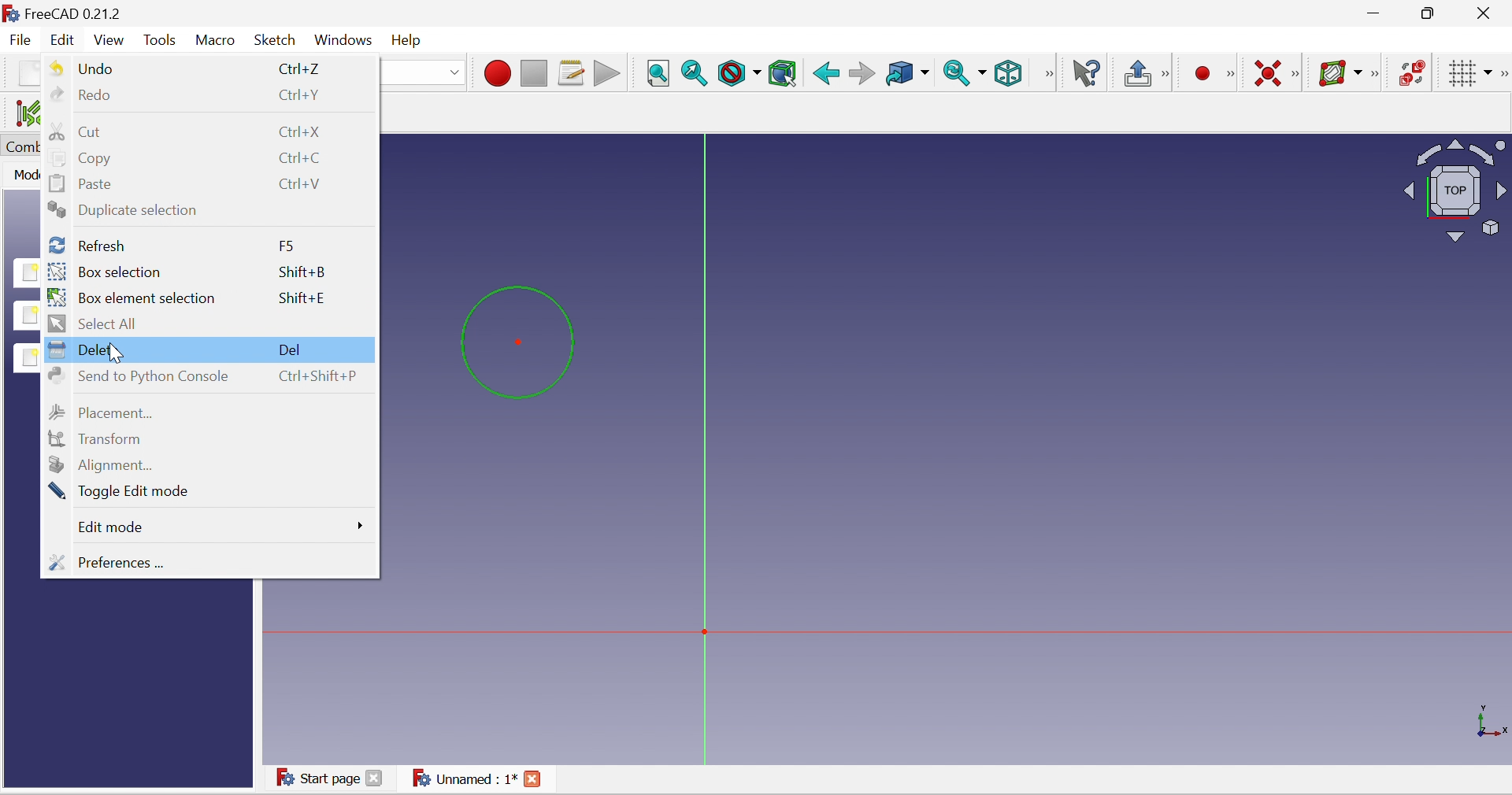  What do you see at coordinates (275, 42) in the screenshot?
I see `Sketch` at bounding box center [275, 42].